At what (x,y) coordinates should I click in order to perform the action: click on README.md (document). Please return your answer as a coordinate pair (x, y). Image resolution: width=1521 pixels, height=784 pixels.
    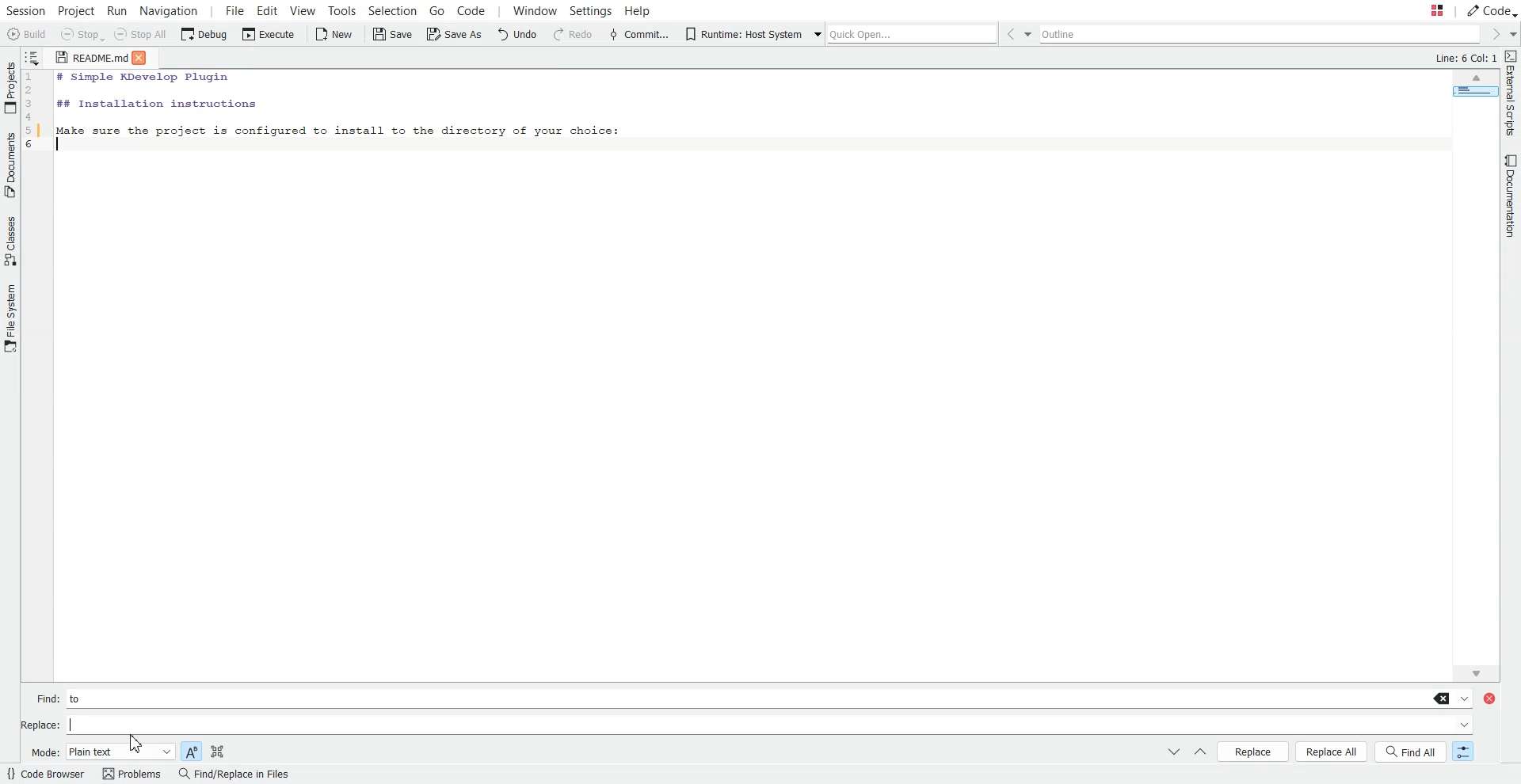
    Looking at the image, I should click on (91, 59).